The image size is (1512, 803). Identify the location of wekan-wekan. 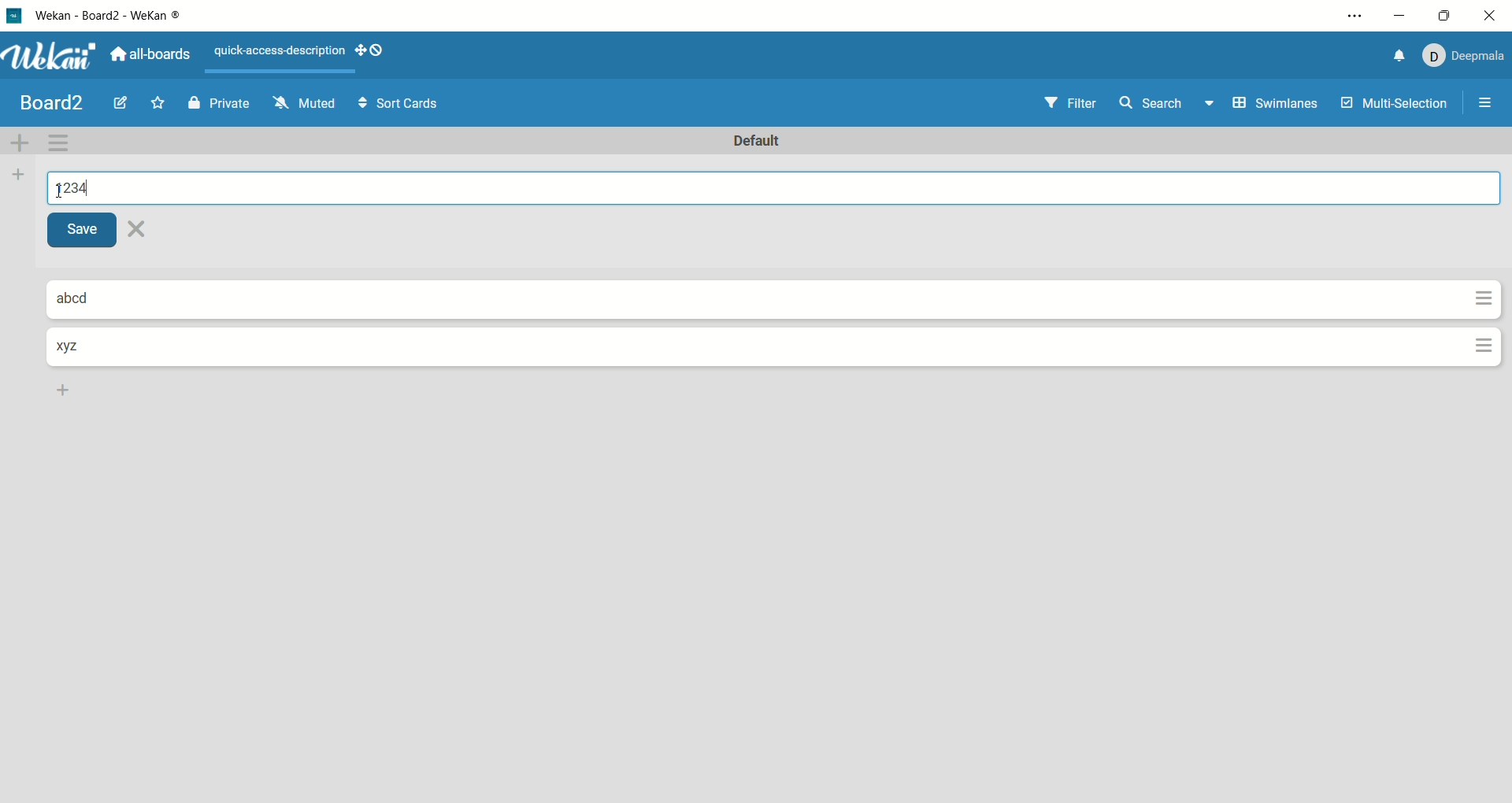
(116, 17).